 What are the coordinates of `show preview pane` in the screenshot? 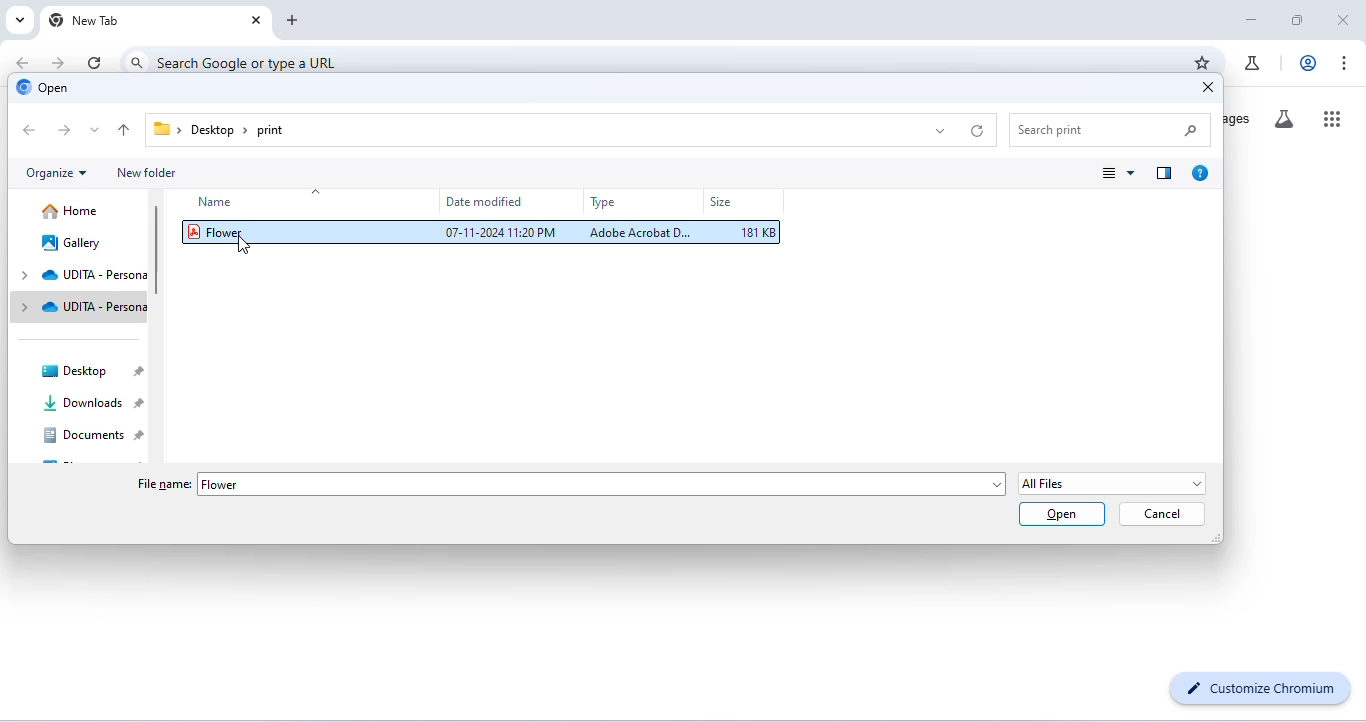 It's located at (1165, 174).